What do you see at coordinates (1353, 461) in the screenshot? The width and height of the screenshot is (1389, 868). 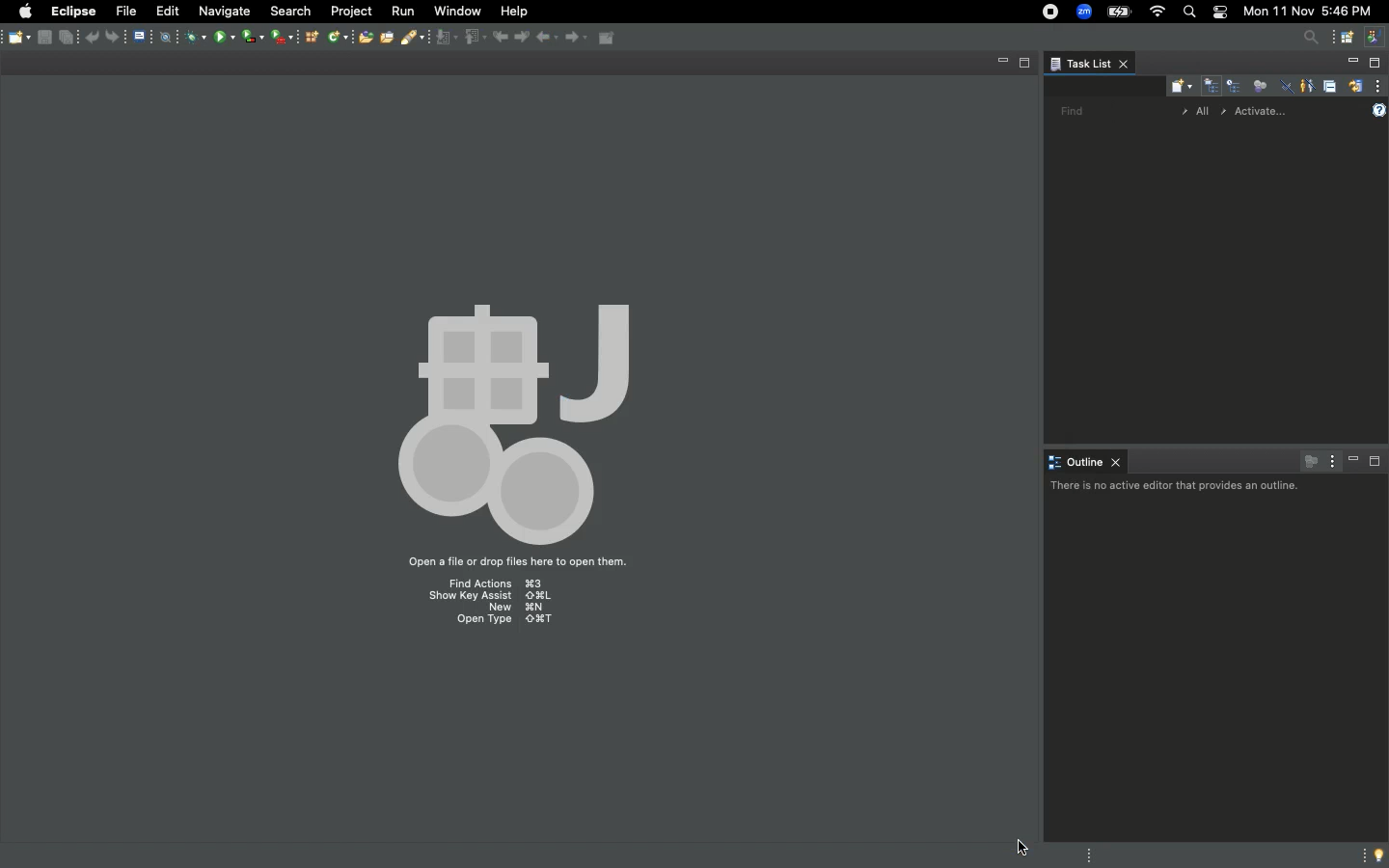 I see `Minimize` at bounding box center [1353, 461].